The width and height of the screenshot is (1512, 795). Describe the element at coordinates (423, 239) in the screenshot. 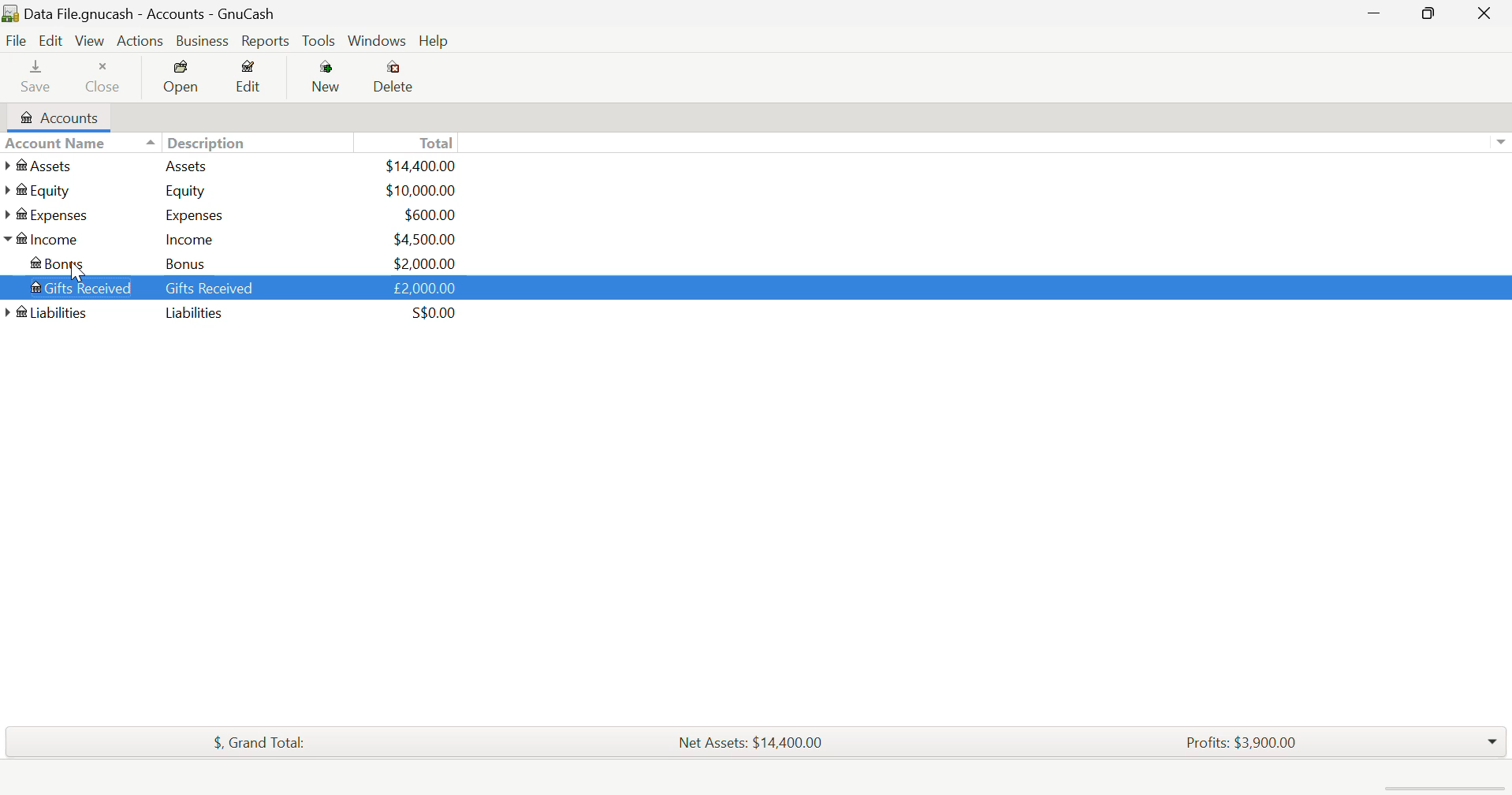

I see `USD` at that location.